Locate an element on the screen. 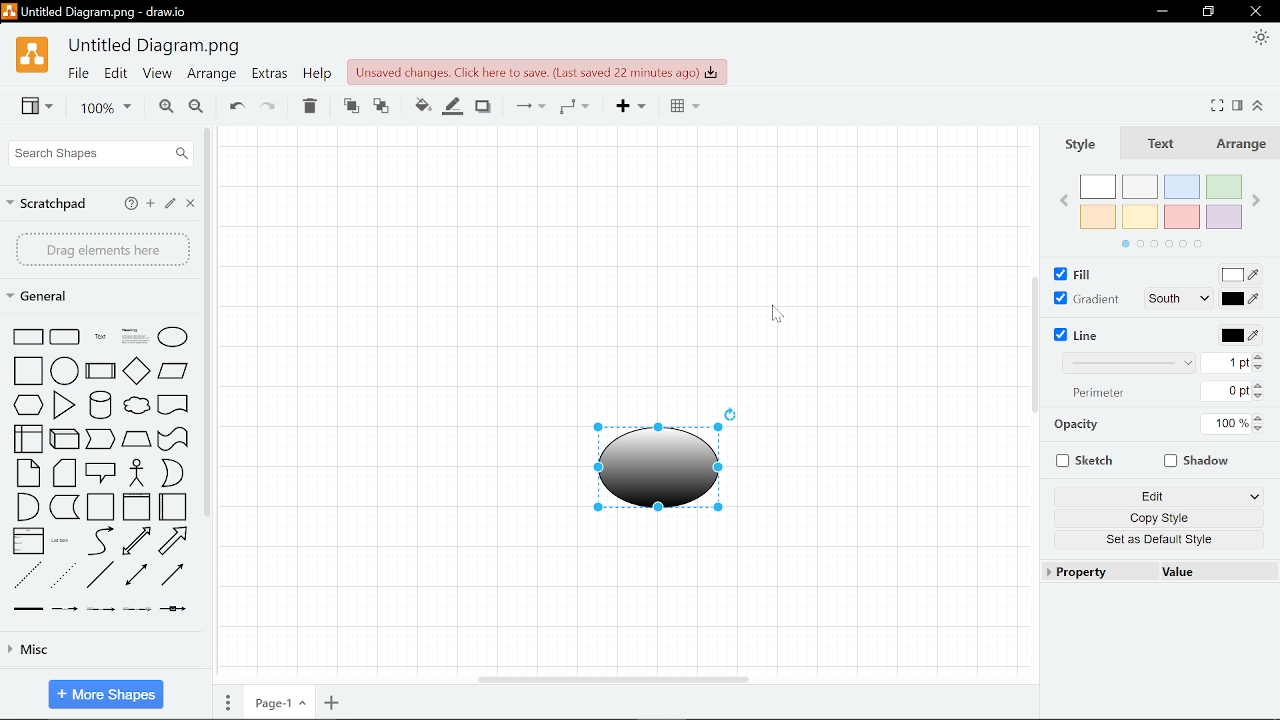 The width and height of the screenshot is (1280, 720). Decrease width is located at coordinates (1260, 369).